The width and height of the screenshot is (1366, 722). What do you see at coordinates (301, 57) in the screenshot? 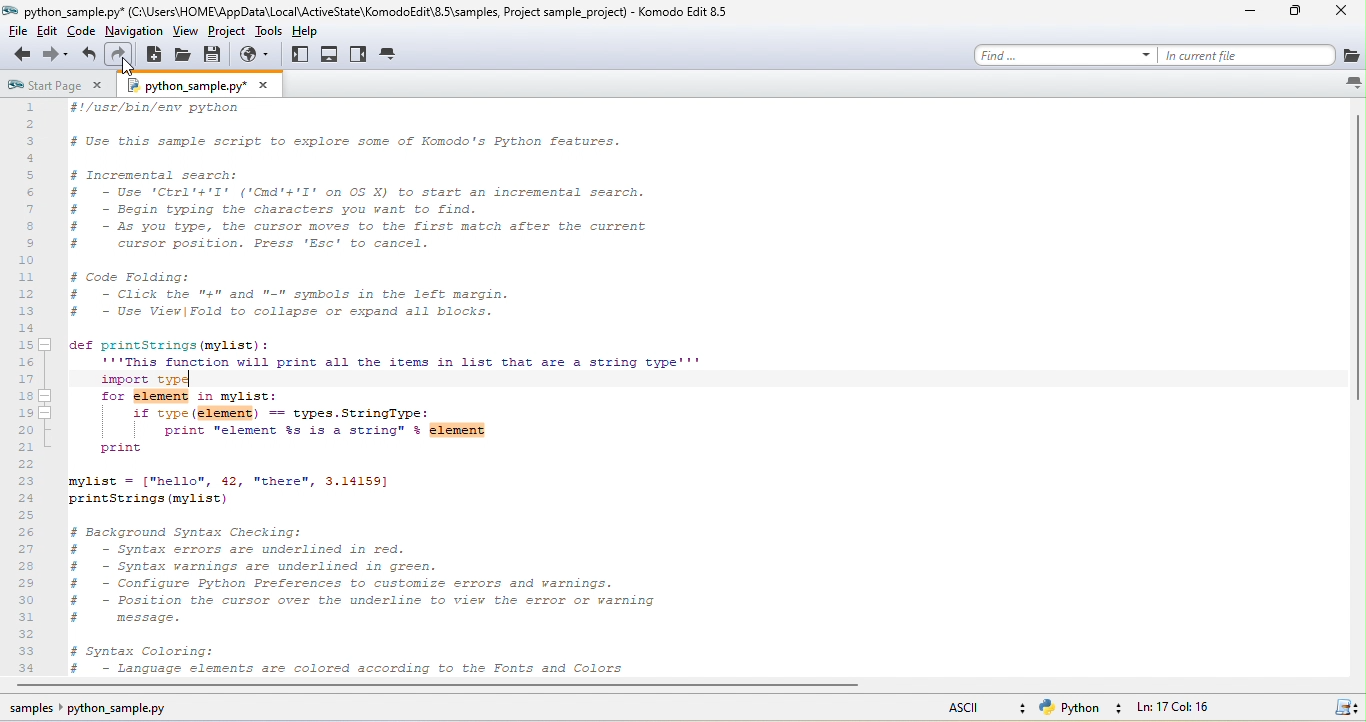
I see `show /hide left pane` at bounding box center [301, 57].